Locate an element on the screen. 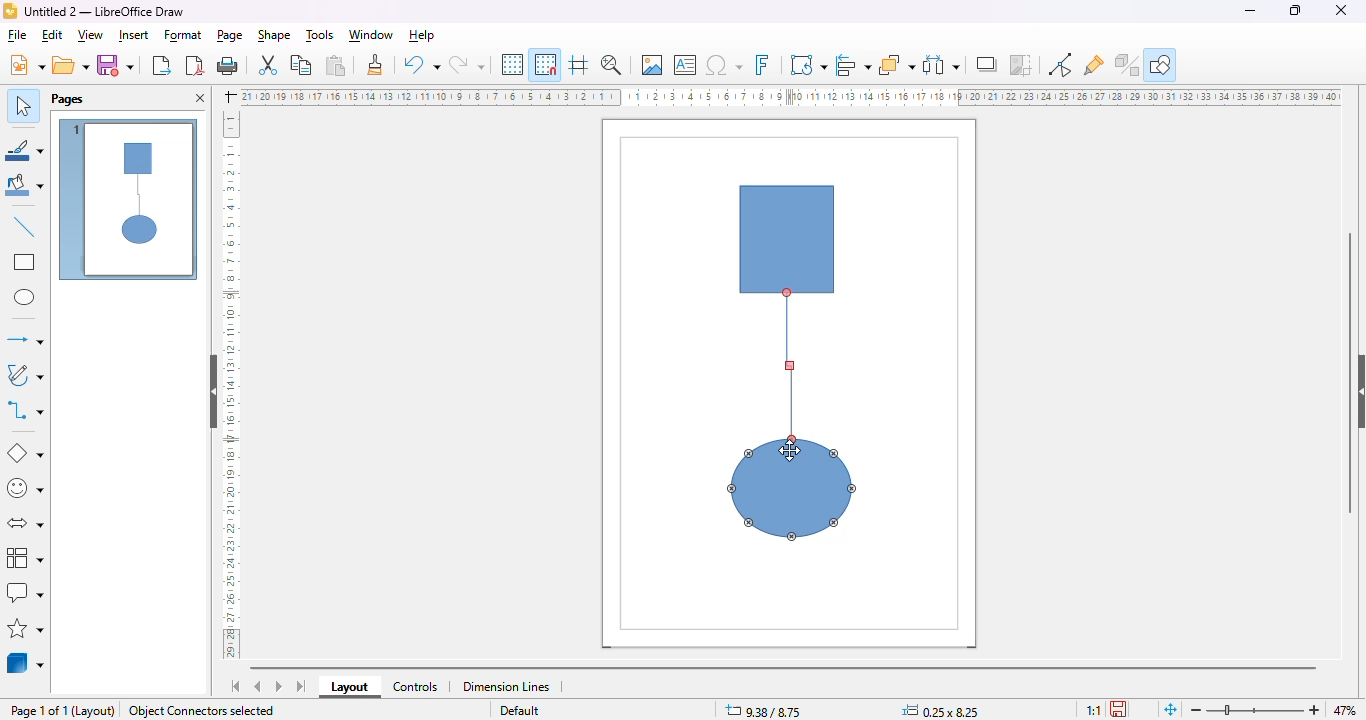 Image resolution: width=1366 pixels, height=720 pixels. callout shapes is located at coordinates (26, 592).